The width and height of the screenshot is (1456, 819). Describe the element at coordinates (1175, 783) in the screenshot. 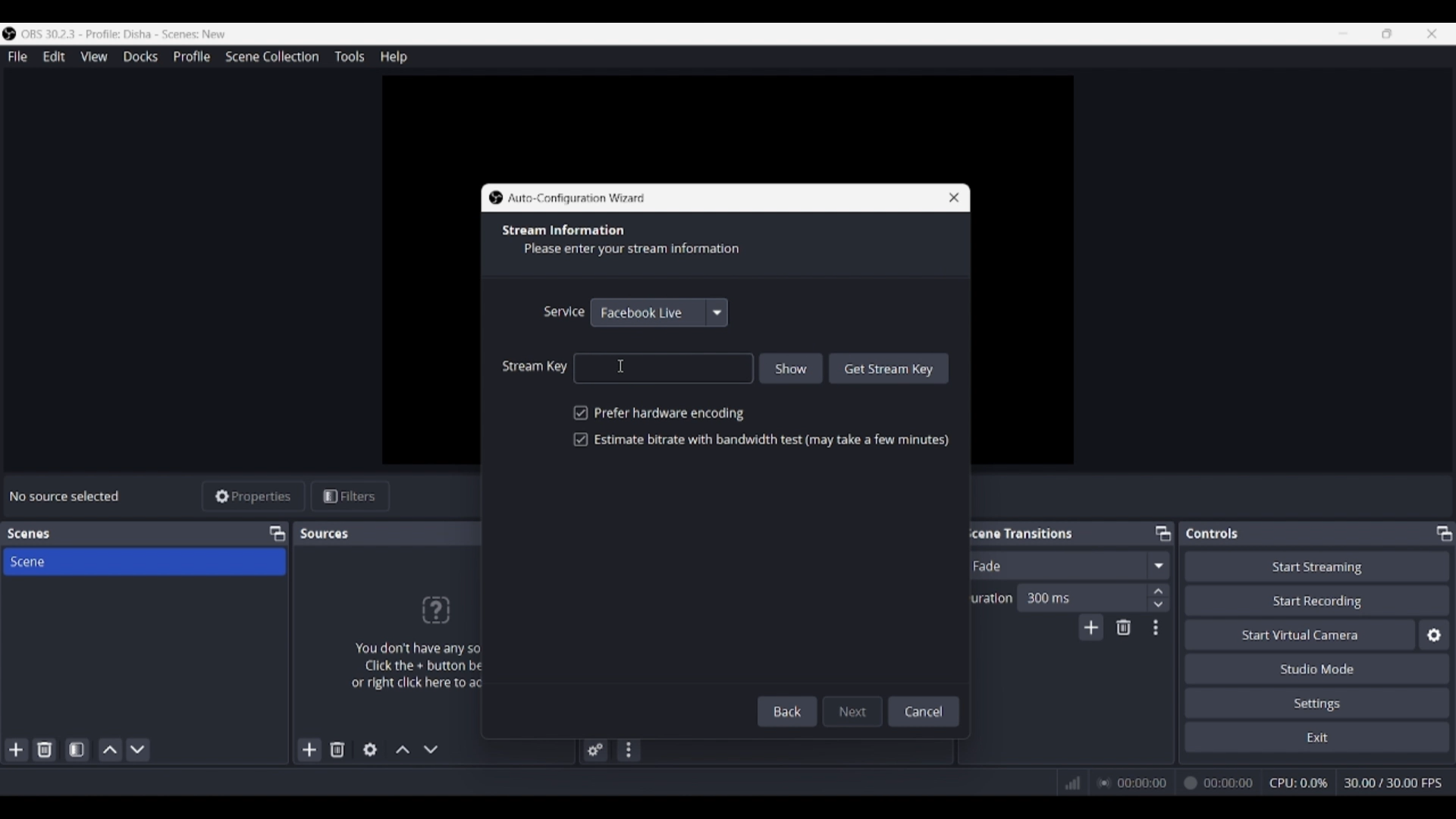

I see `Recording duration` at that location.